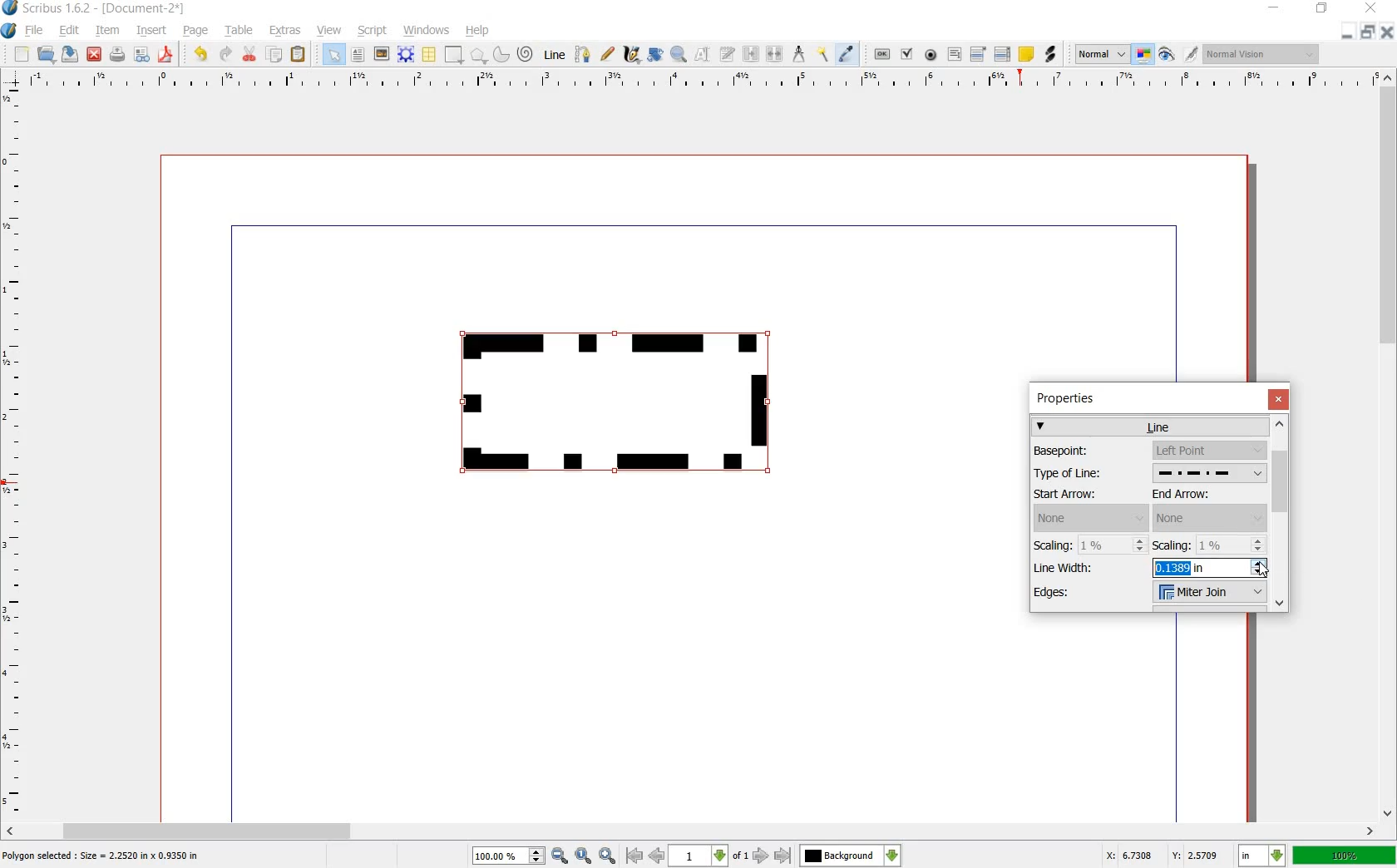 This screenshot has height=868, width=1397. What do you see at coordinates (198, 55) in the screenshot?
I see `UNDO` at bounding box center [198, 55].